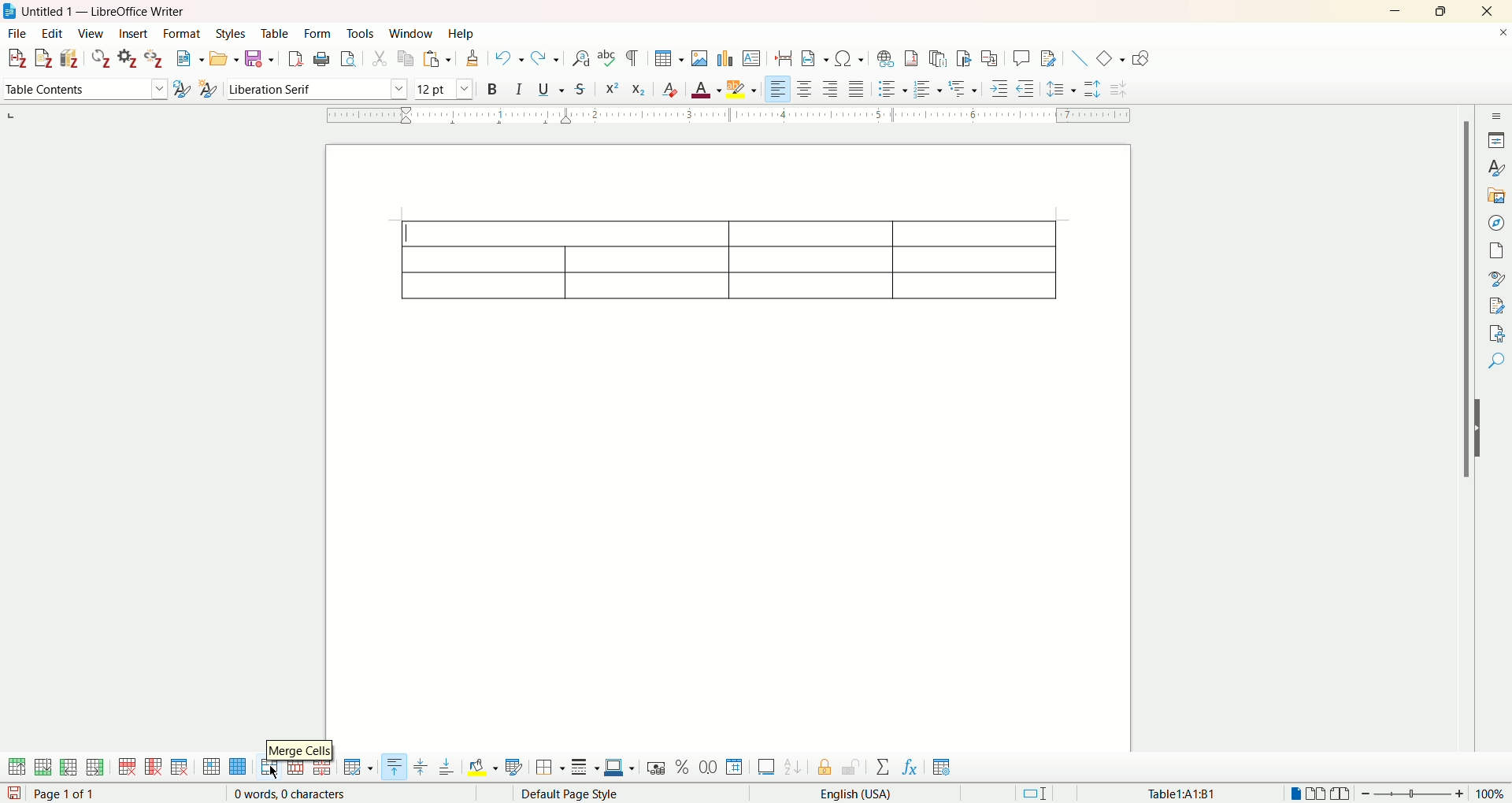  I want to click on print preview, so click(346, 60).